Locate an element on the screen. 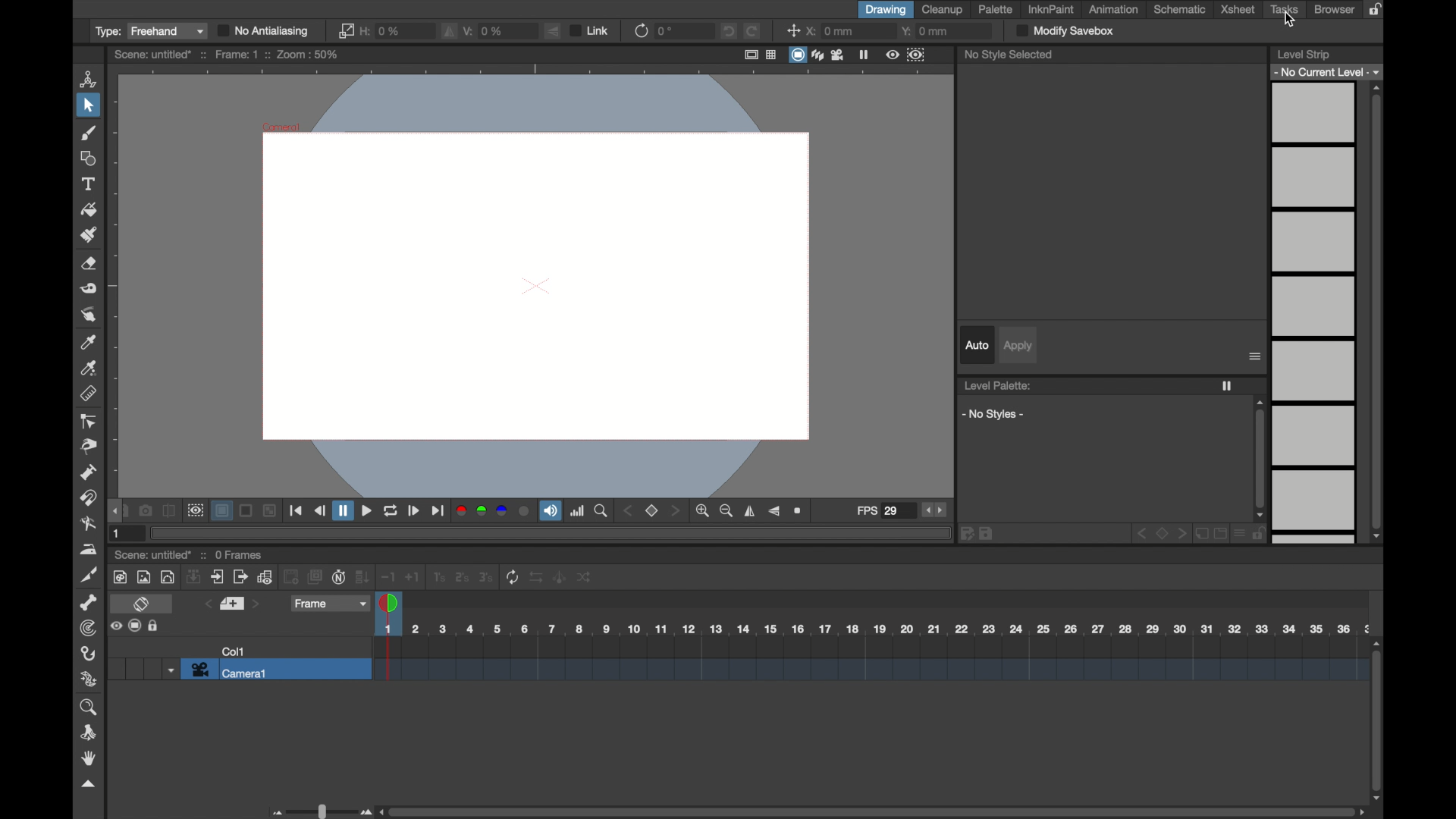 This screenshot has width=1456, height=819. zoom is located at coordinates (602, 511).